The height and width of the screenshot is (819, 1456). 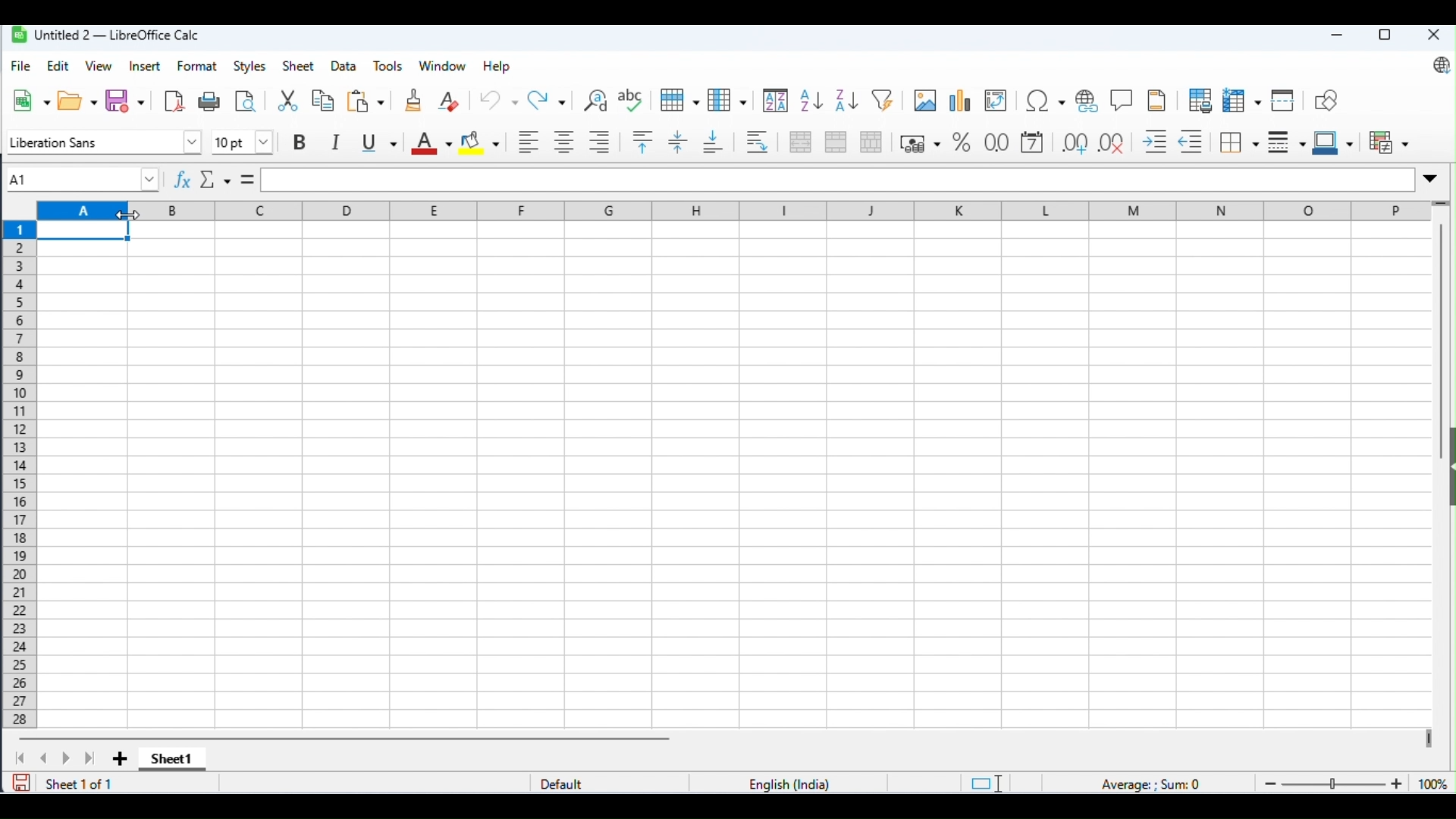 What do you see at coordinates (714, 140) in the screenshot?
I see `lign to bottom` at bounding box center [714, 140].